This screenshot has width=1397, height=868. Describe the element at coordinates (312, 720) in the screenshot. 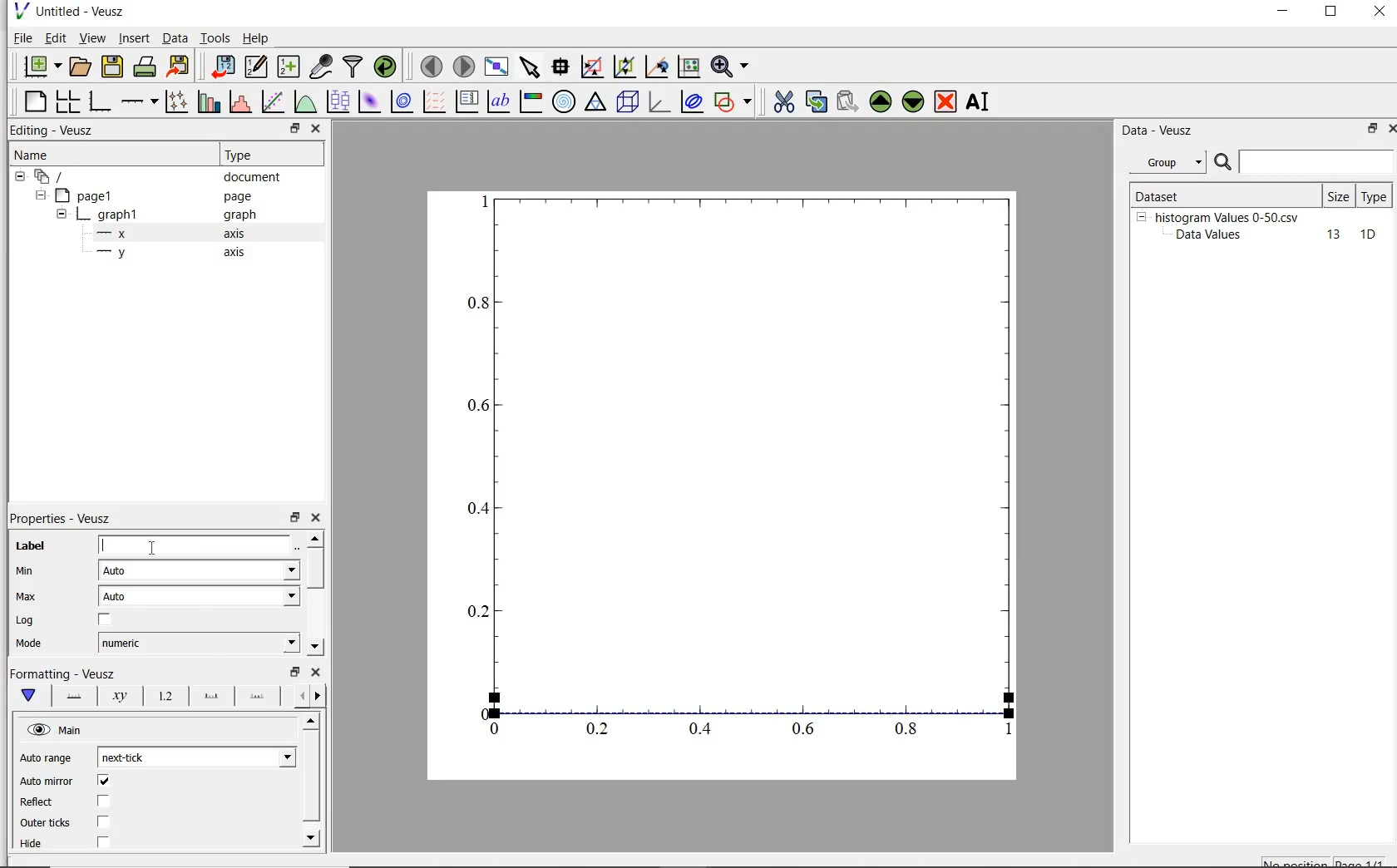

I see `move up` at that location.